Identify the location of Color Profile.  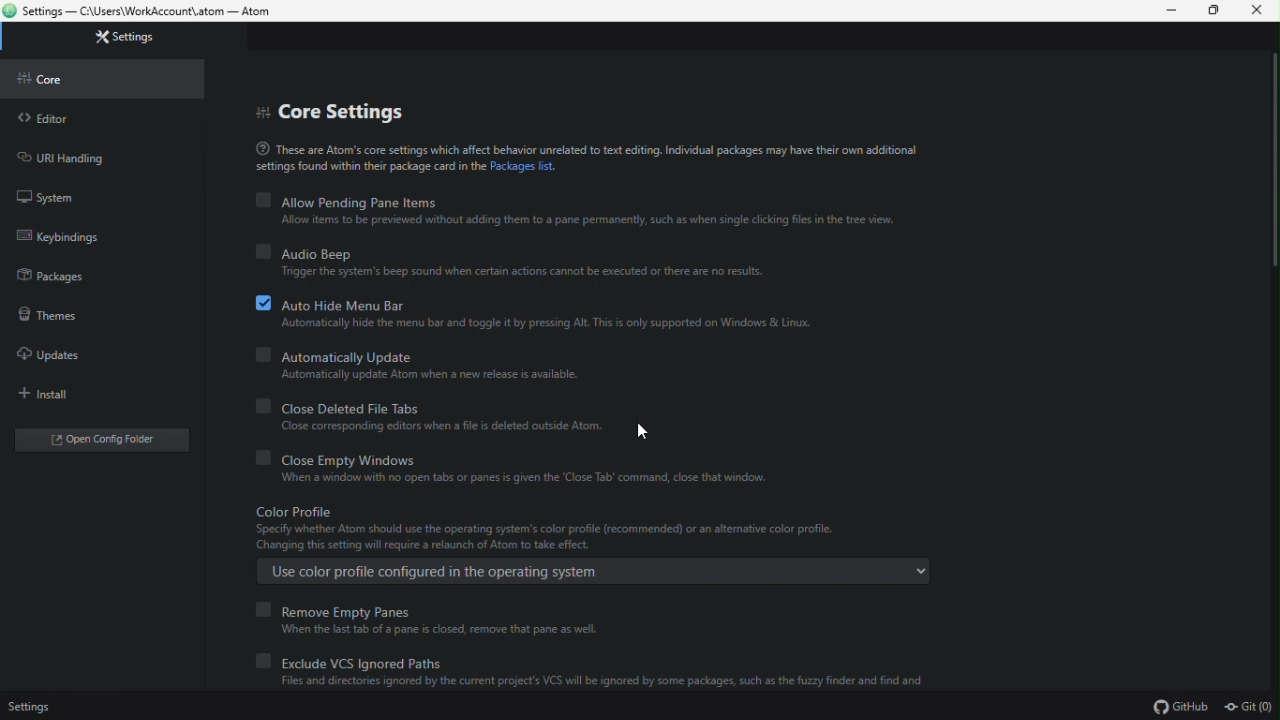
(303, 511).